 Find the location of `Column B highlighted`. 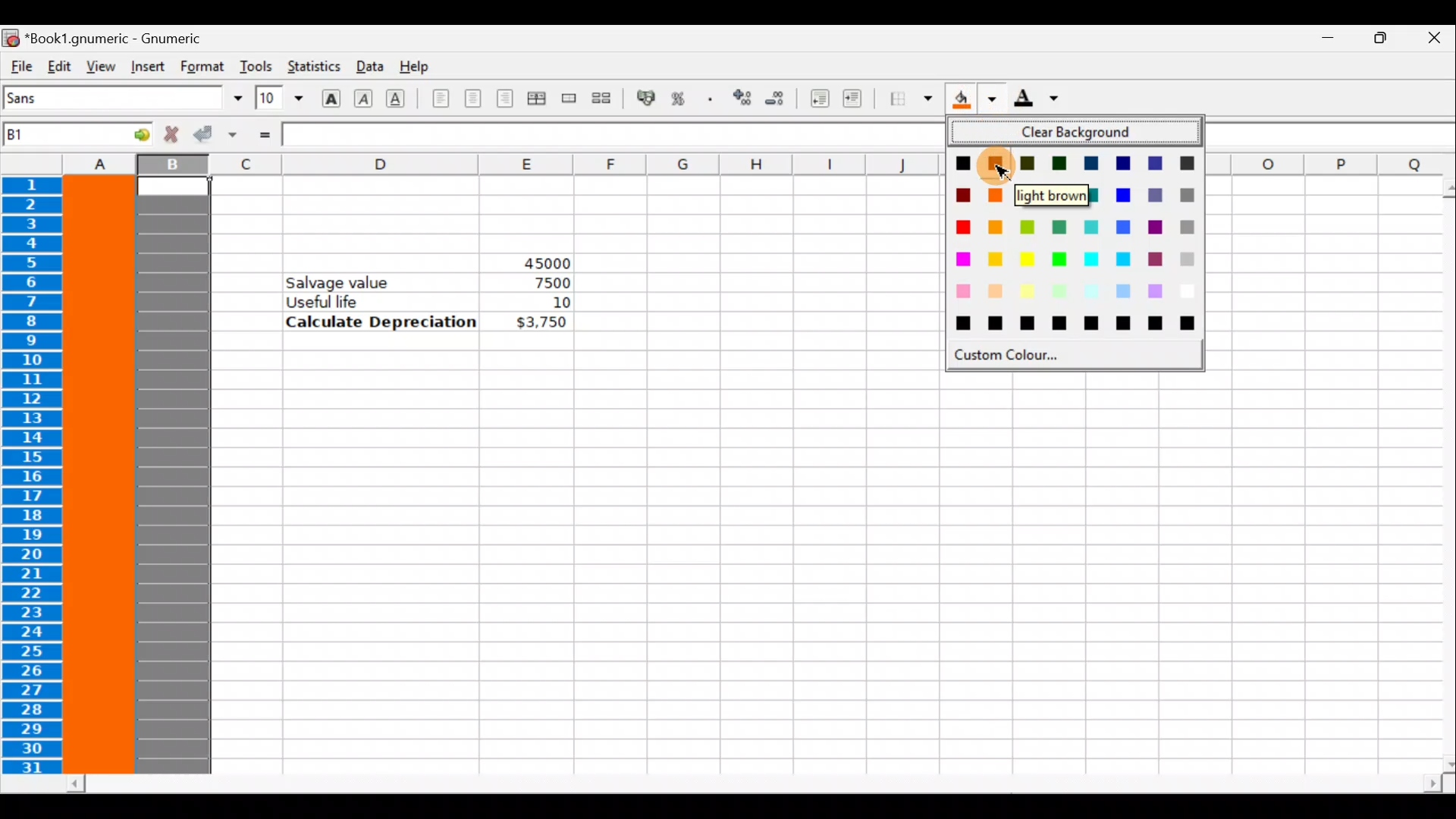

Column B highlighted is located at coordinates (177, 476).